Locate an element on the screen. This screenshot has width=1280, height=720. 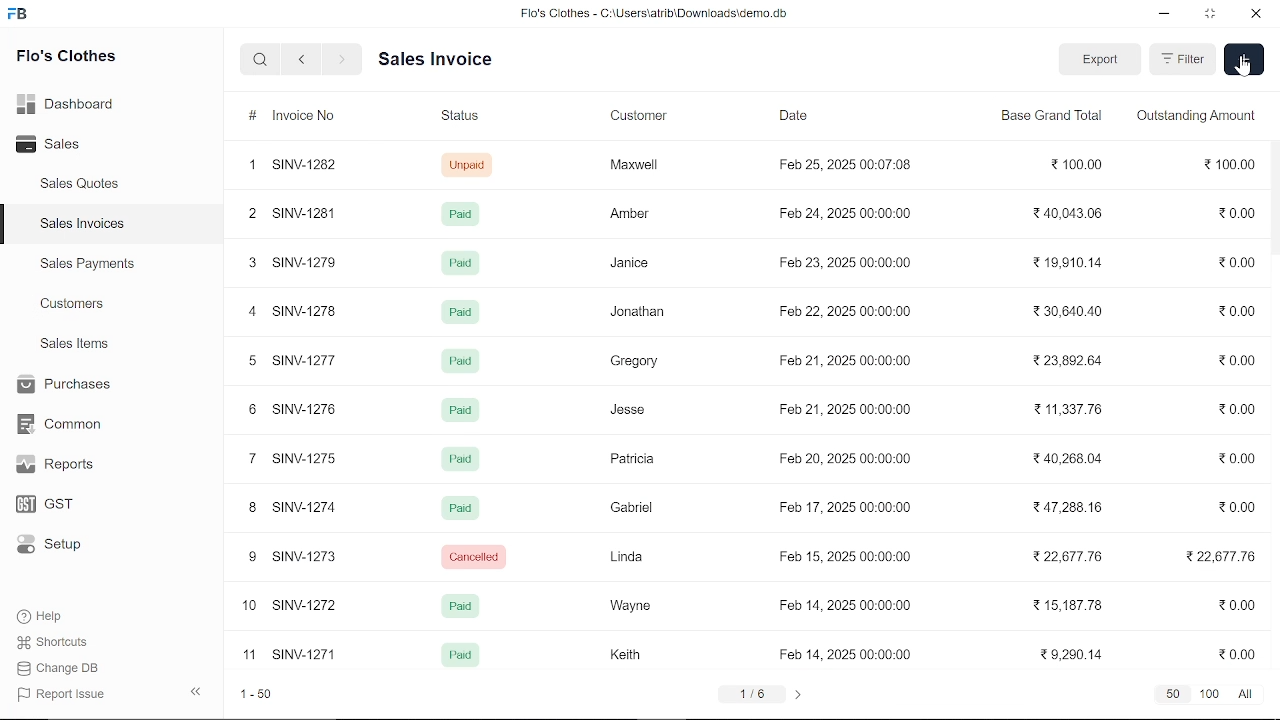
Export is located at coordinates (1099, 60).